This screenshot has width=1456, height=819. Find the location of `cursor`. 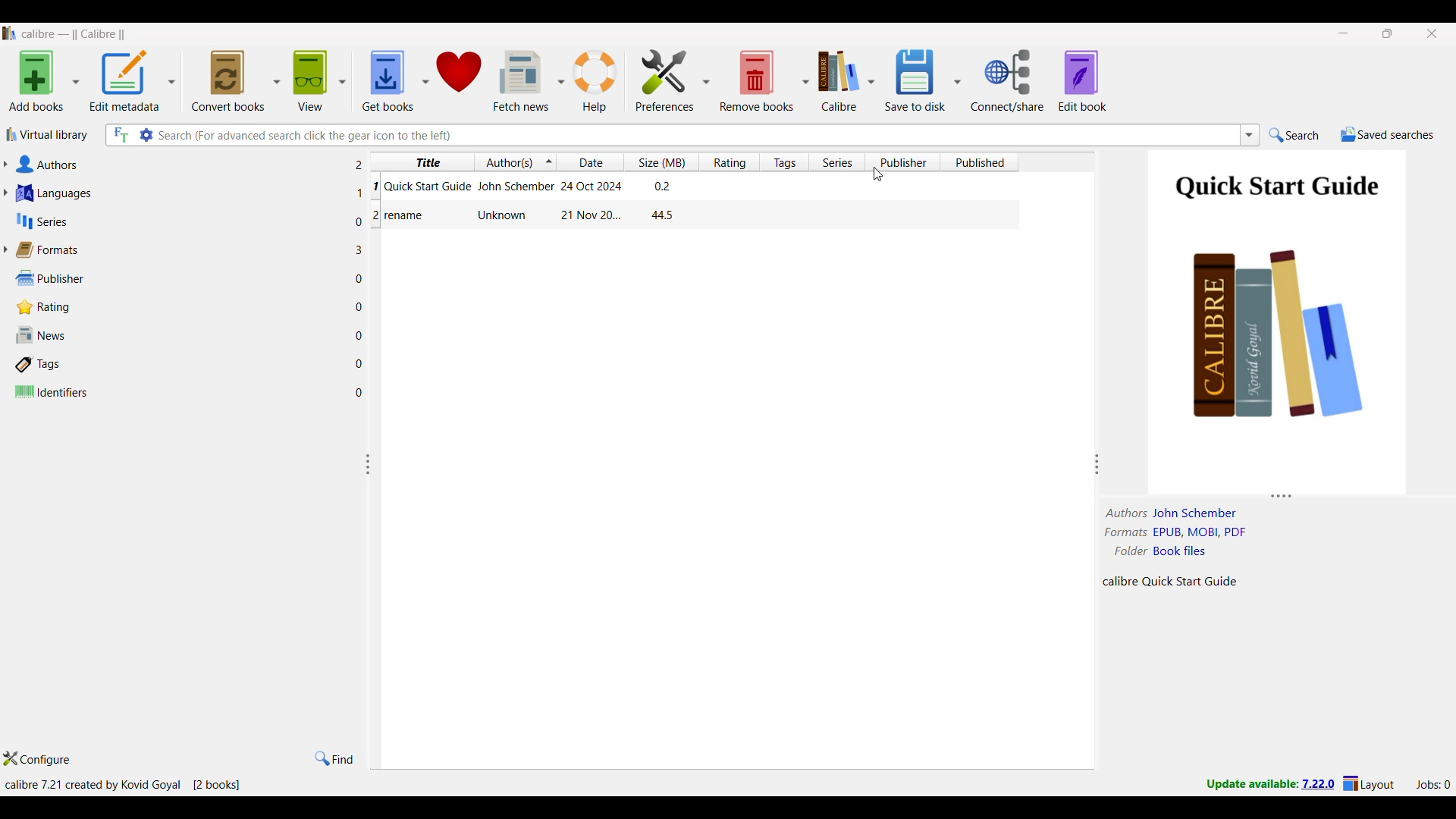

cursor is located at coordinates (880, 177).